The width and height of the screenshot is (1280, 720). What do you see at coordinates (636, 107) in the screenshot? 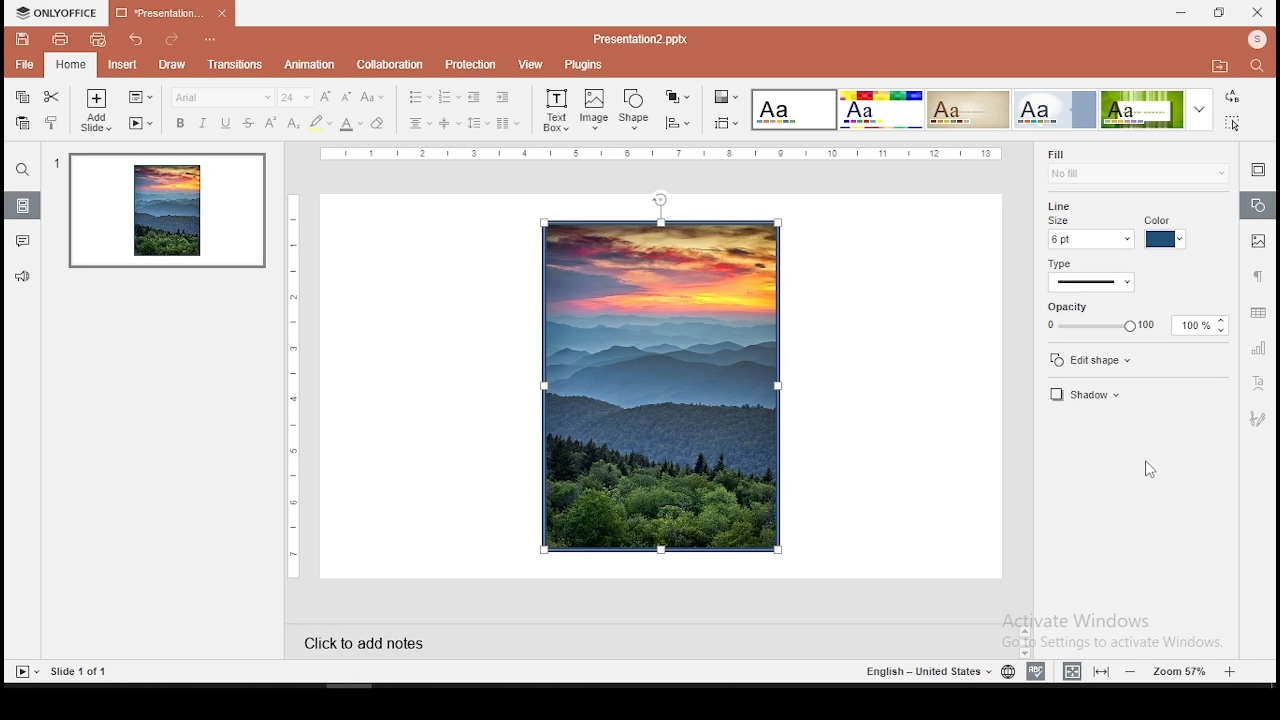
I see `shape` at bounding box center [636, 107].